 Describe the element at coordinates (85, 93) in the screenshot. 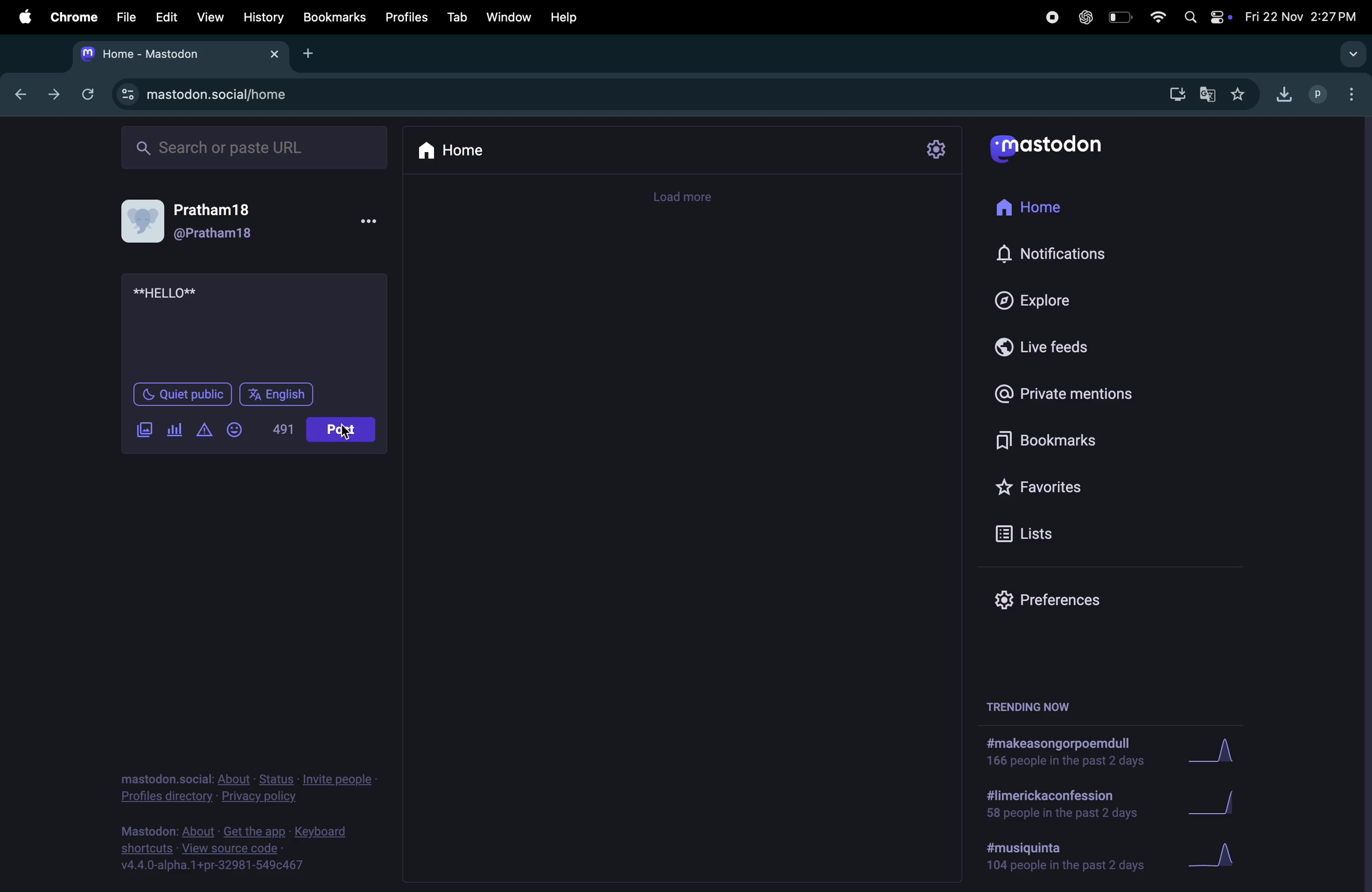

I see `refresh` at that location.